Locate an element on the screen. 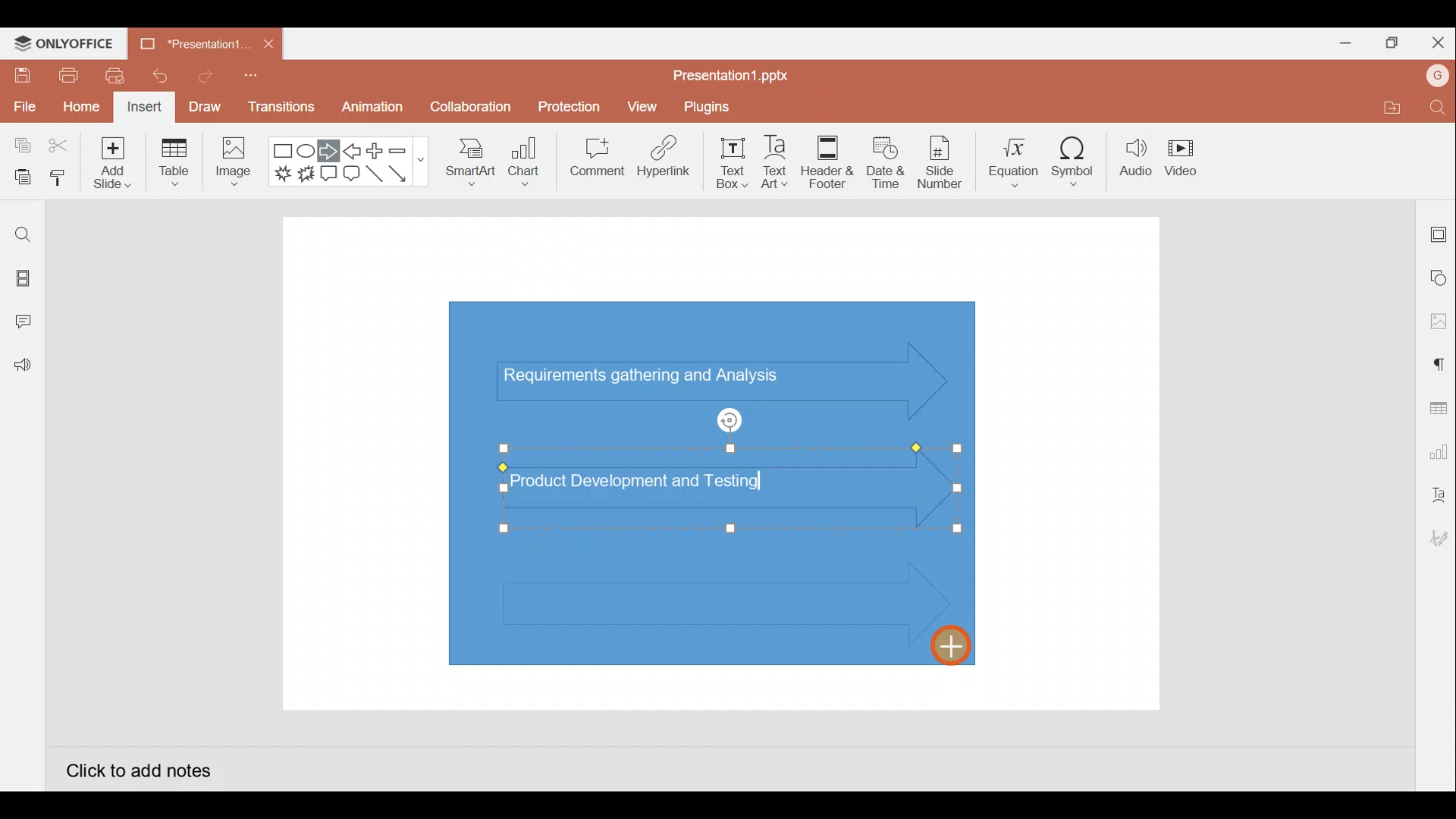  Home is located at coordinates (81, 108).